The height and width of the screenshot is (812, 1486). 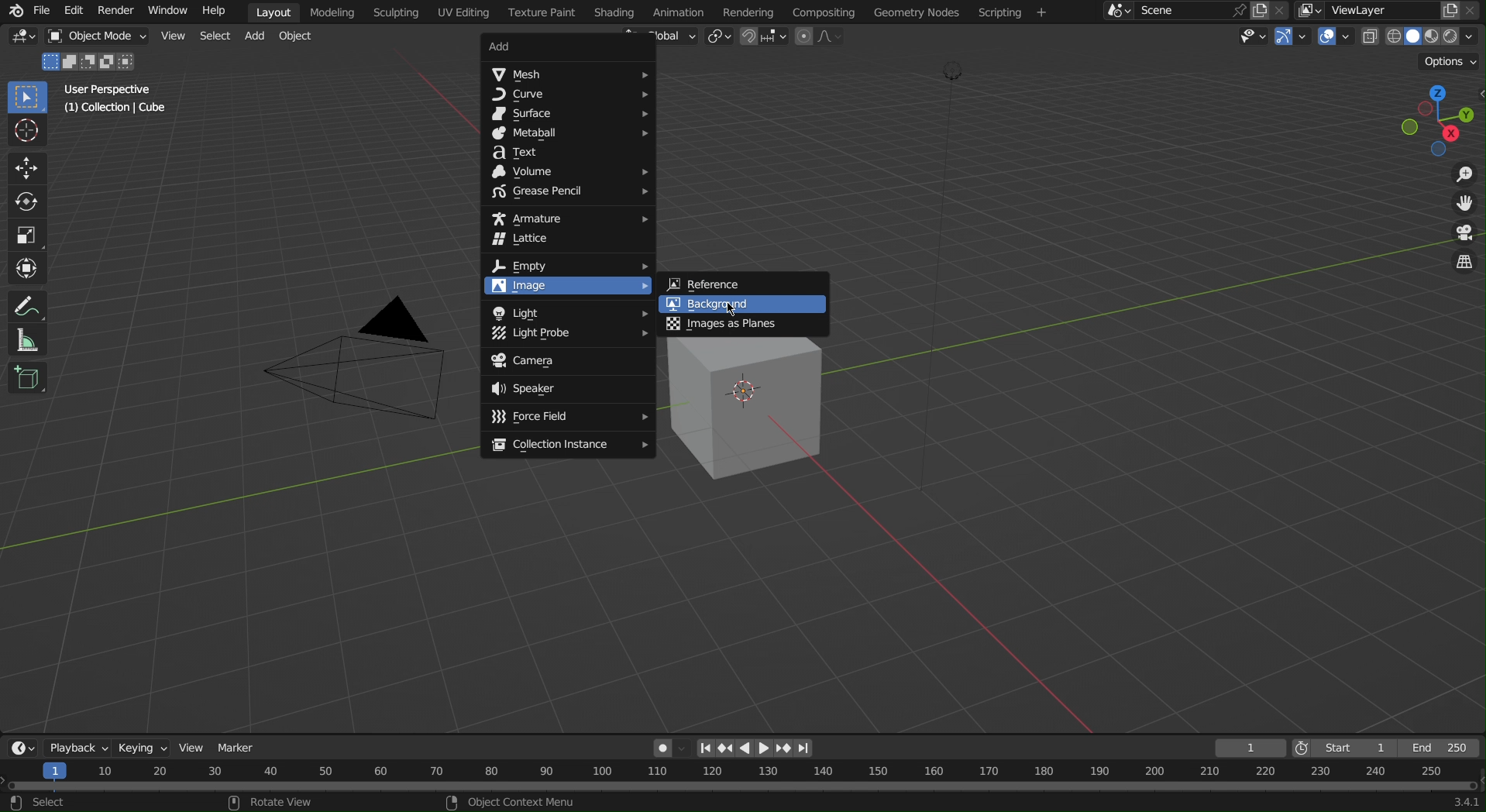 What do you see at coordinates (1191, 11) in the screenshot?
I see `Scene` at bounding box center [1191, 11].